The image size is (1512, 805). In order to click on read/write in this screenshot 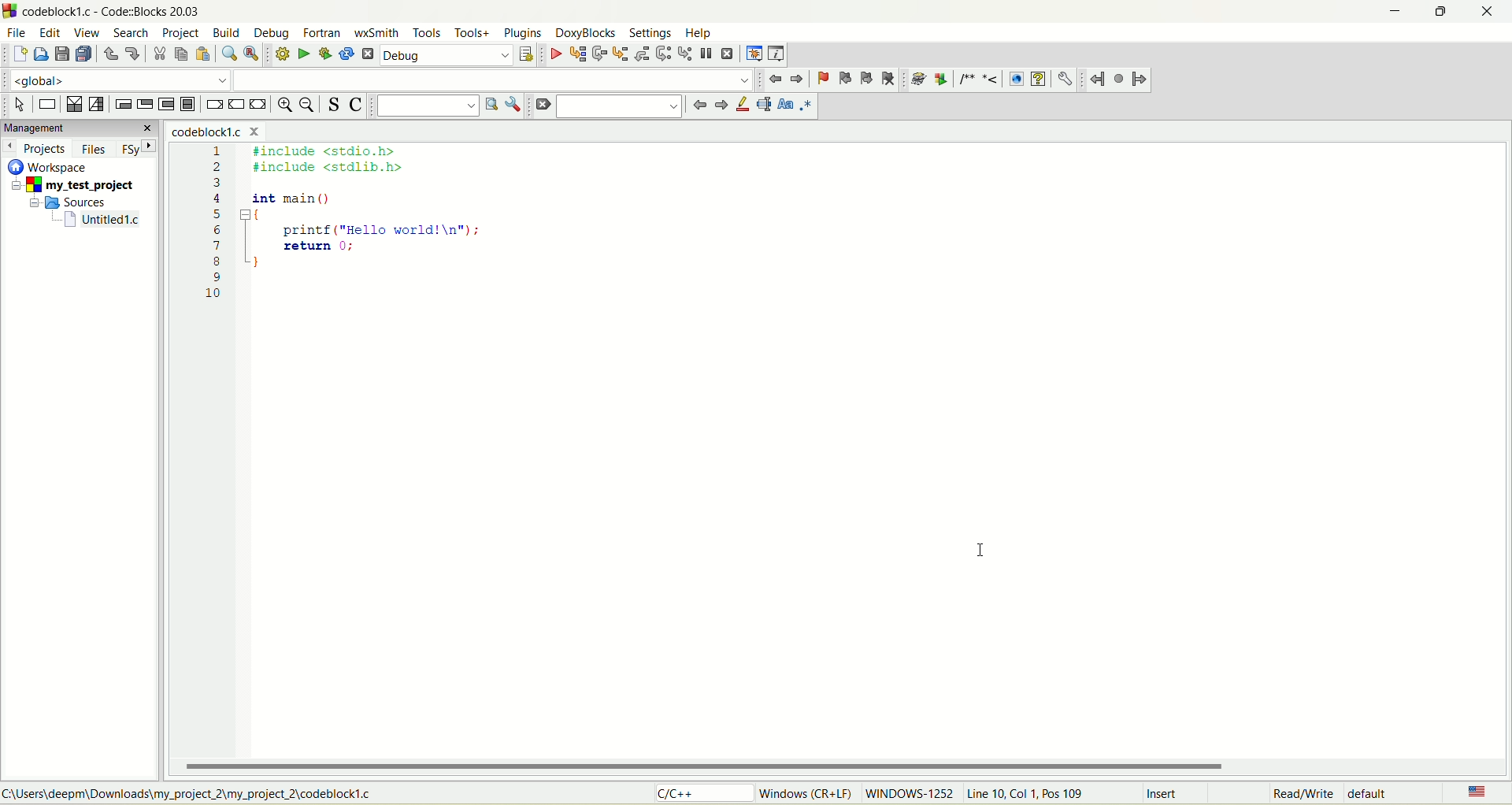, I will do `click(1300, 795)`.